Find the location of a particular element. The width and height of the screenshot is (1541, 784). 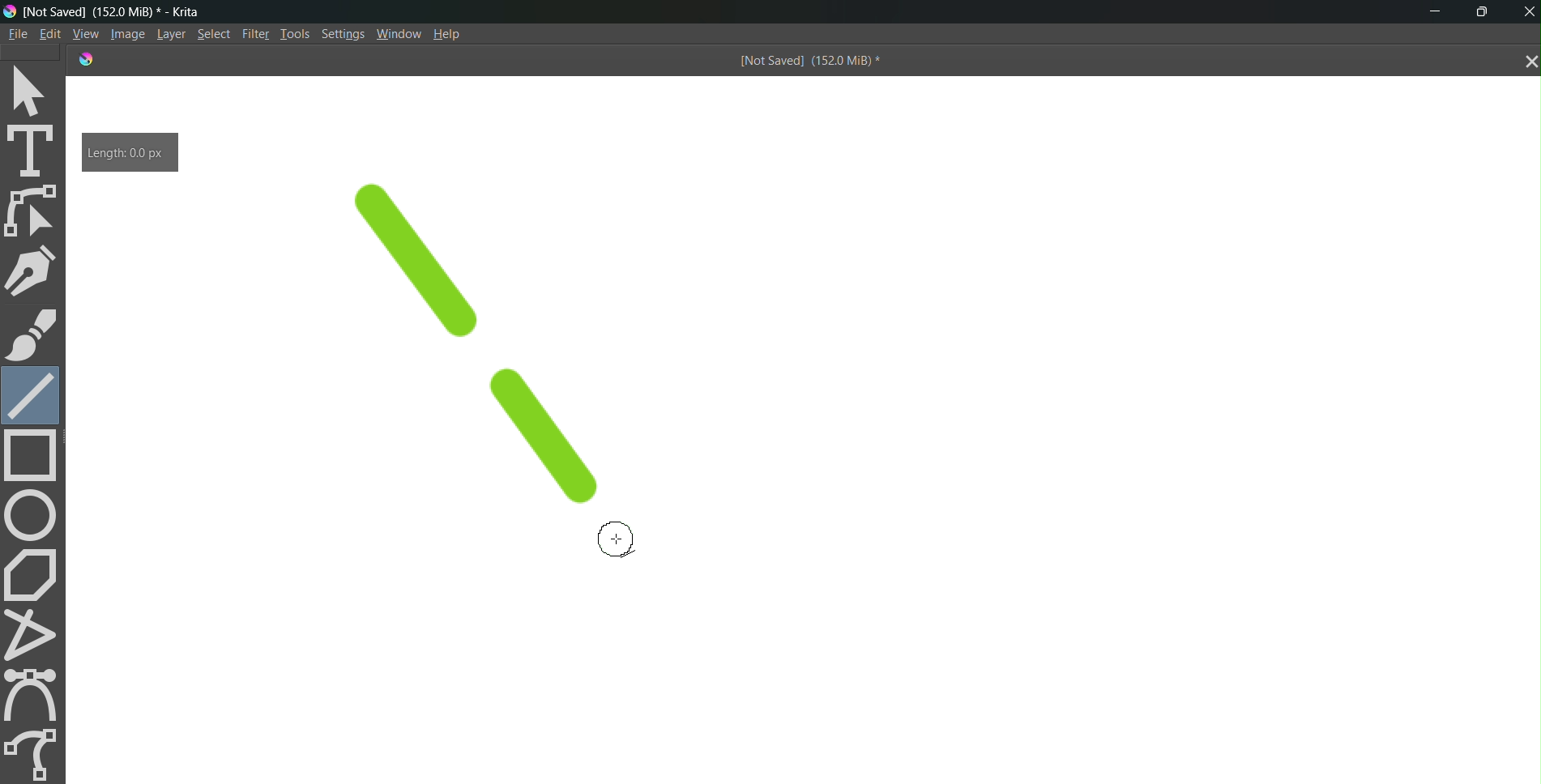

line is located at coordinates (31, 393).